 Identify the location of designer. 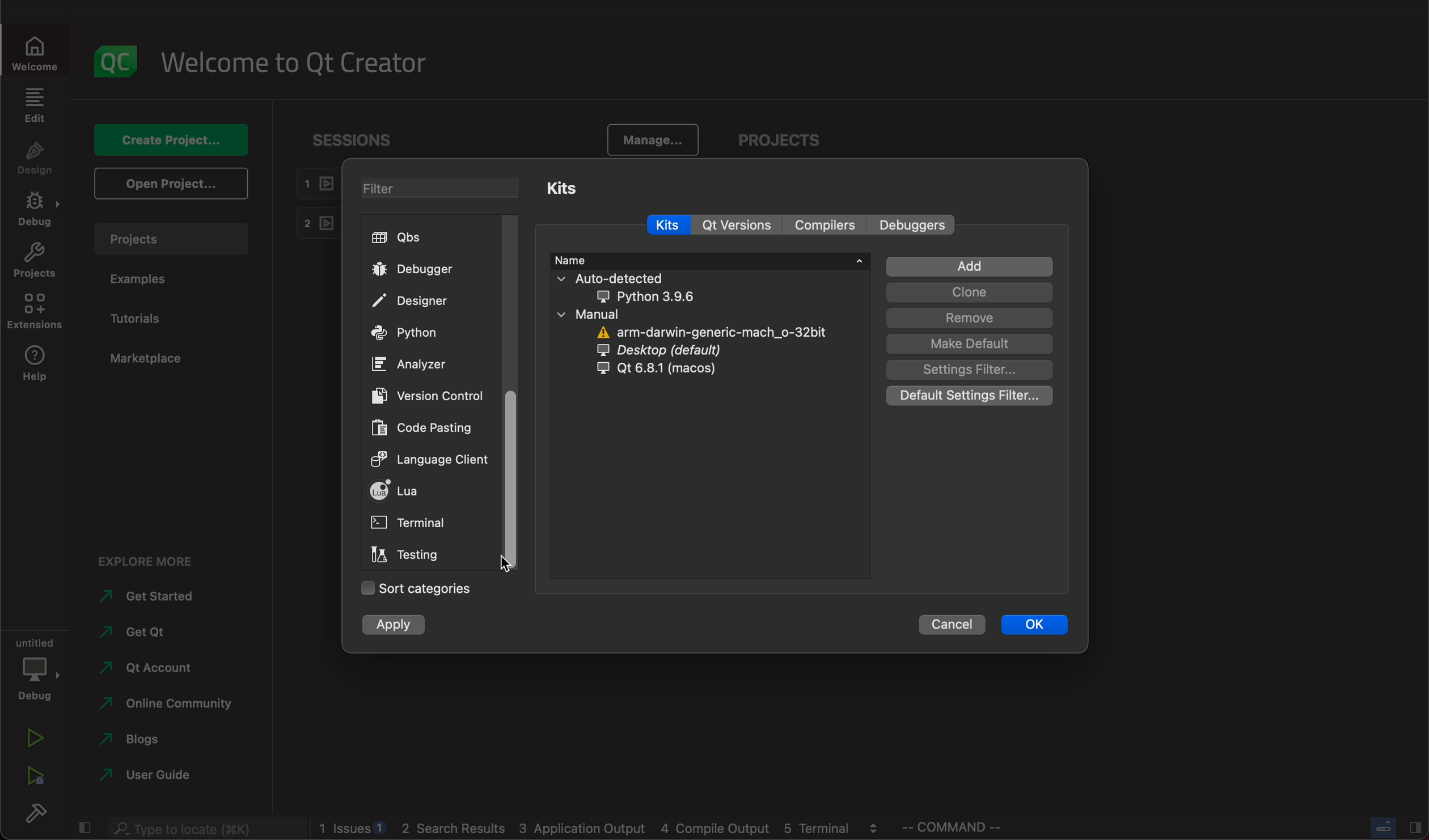
(416, 300).